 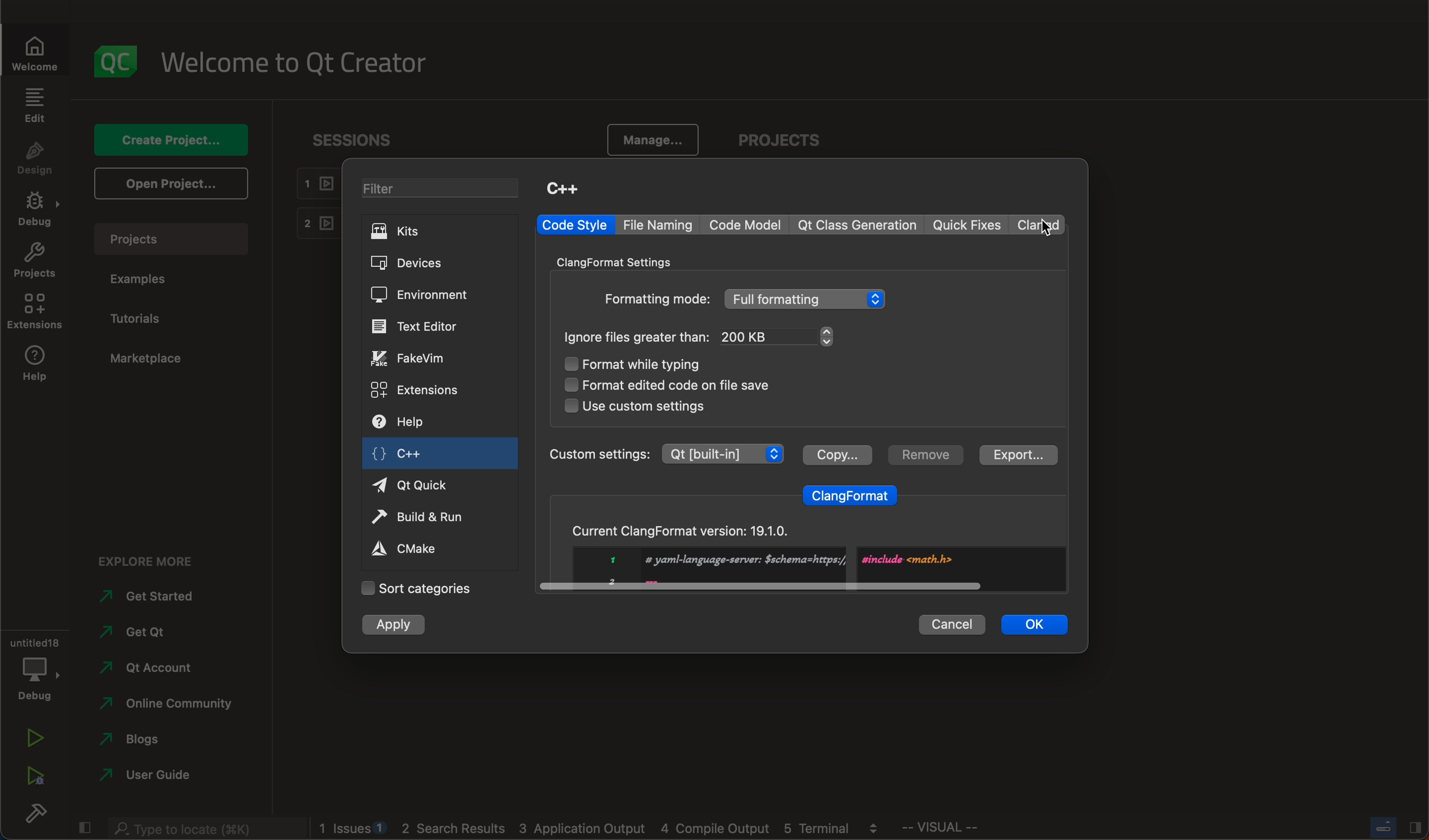 What do you see at coordinates (747, 224) in the screenshot?
I see `code model` at bounding box center [747, 224].